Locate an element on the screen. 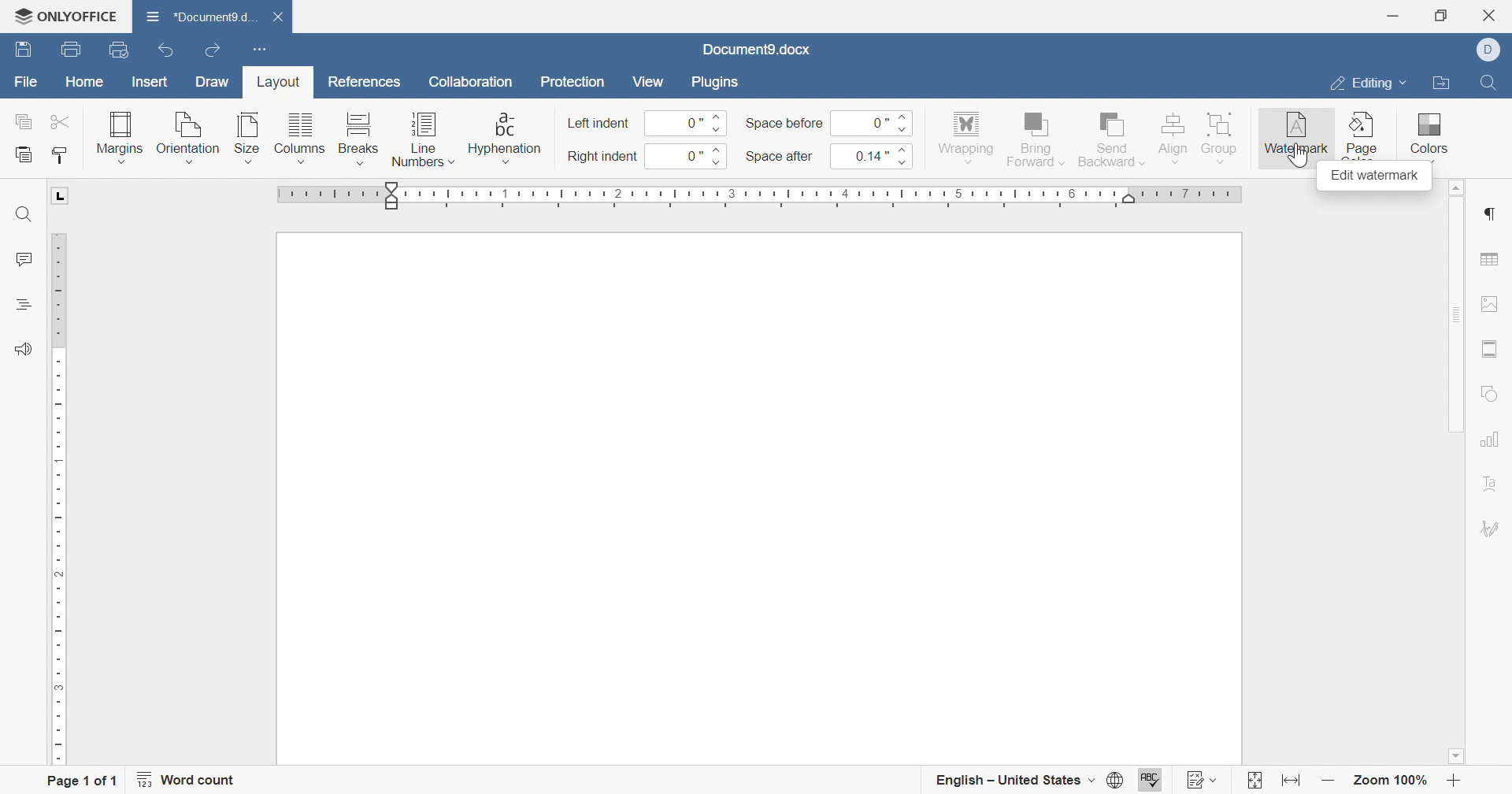 Image resolution: width=1512 pixels, height=794 pixels. signature settings is located at coordinates (1492, 529).